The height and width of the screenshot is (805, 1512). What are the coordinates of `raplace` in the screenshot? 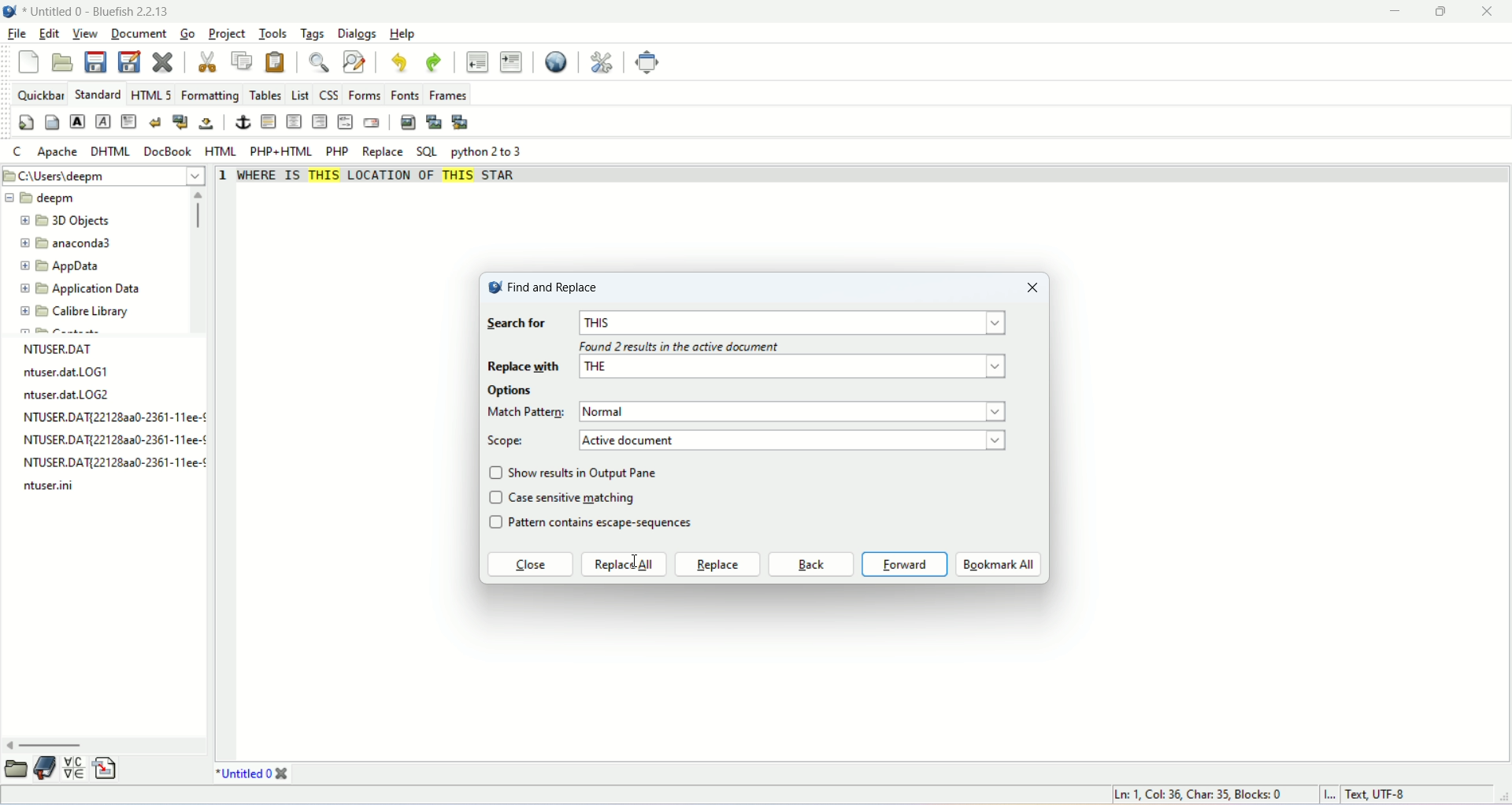 It's located at (717, 564).